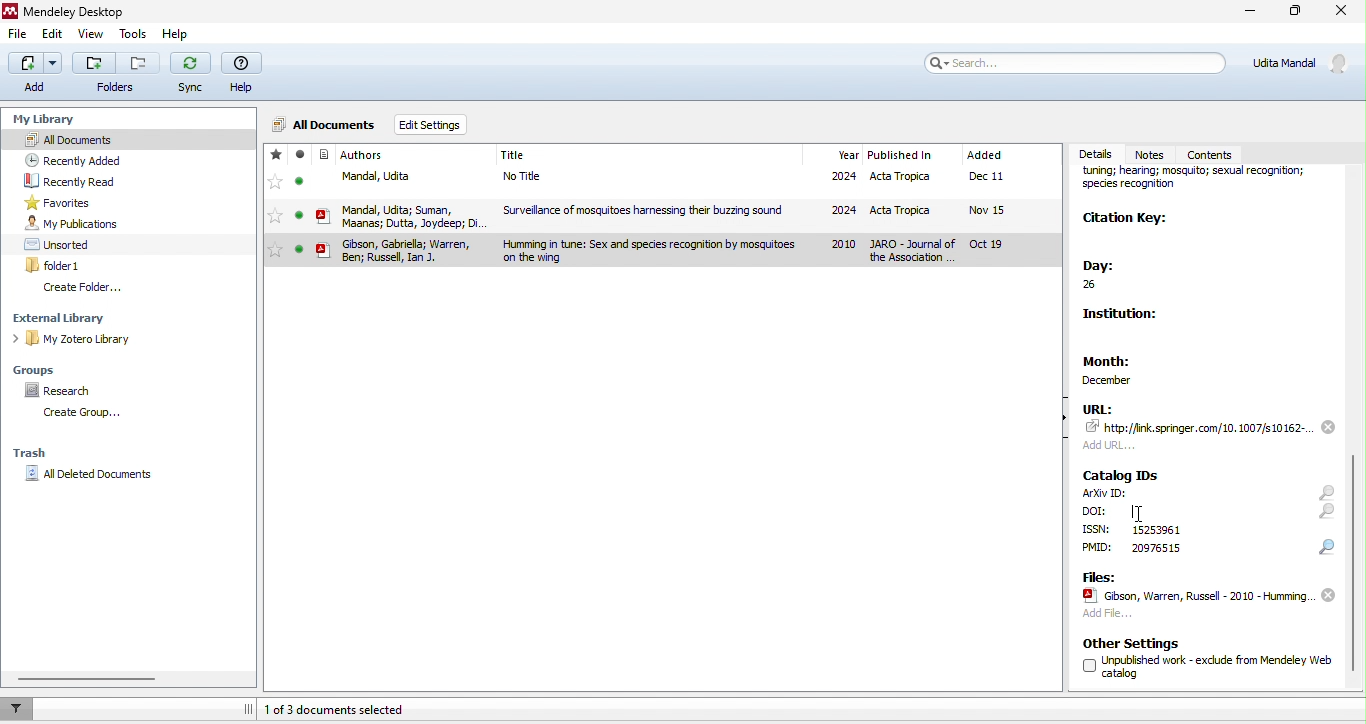  I want to click on journal author name, so click(363, 155).